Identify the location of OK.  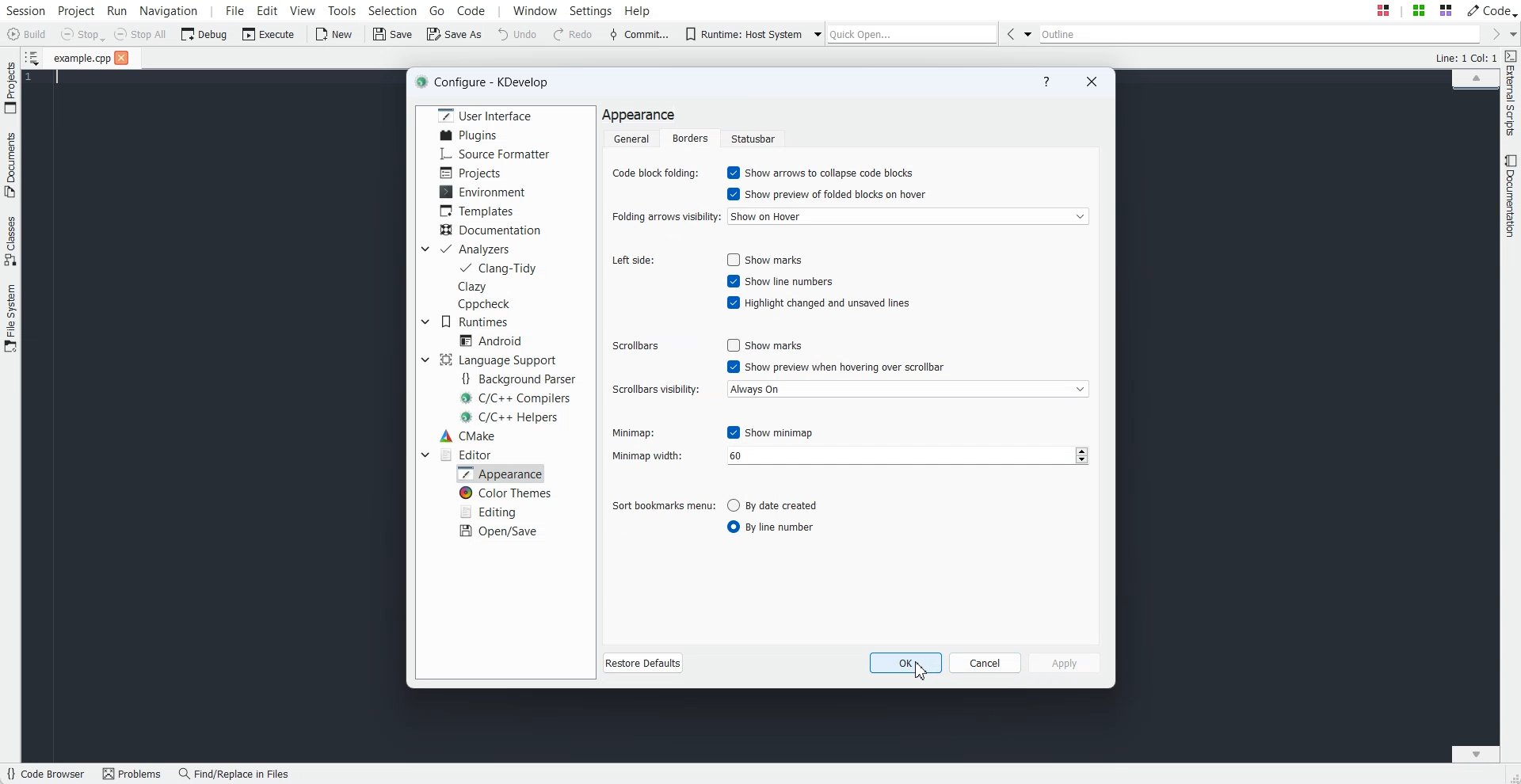
(906, 662).